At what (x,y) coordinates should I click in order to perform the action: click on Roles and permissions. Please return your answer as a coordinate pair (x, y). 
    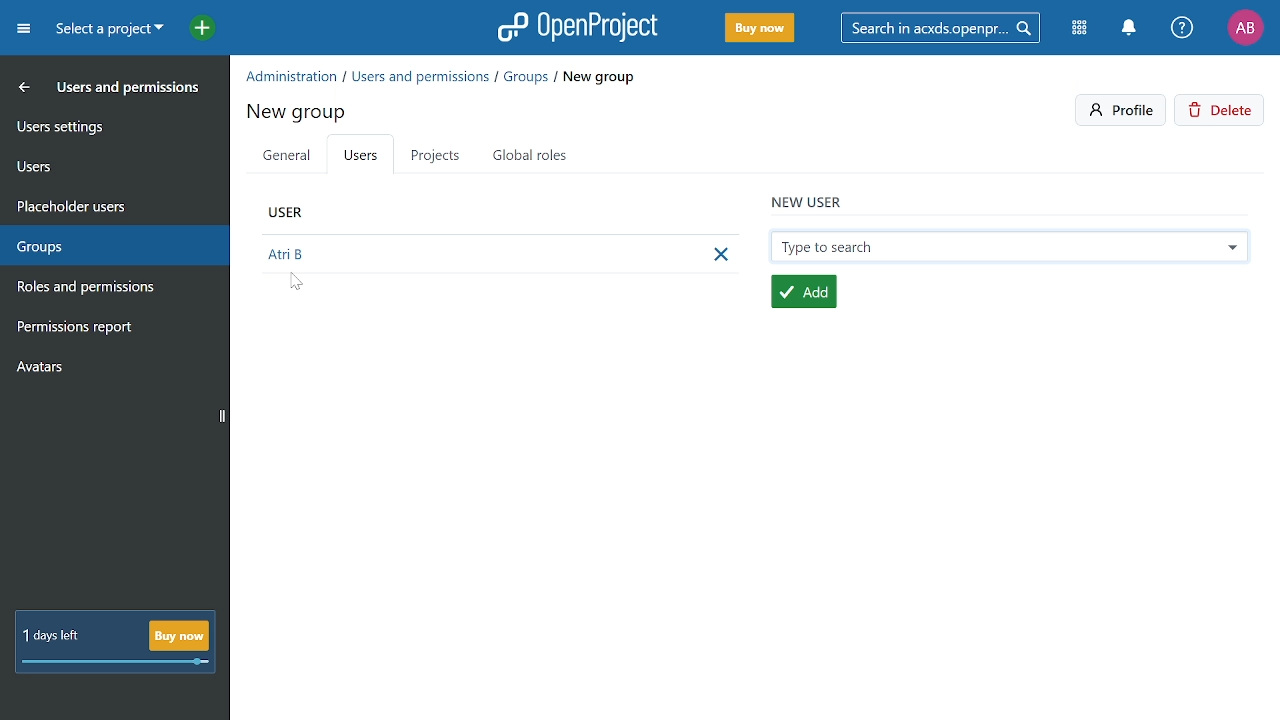
    Looking at the image, I should click on (103, 289).